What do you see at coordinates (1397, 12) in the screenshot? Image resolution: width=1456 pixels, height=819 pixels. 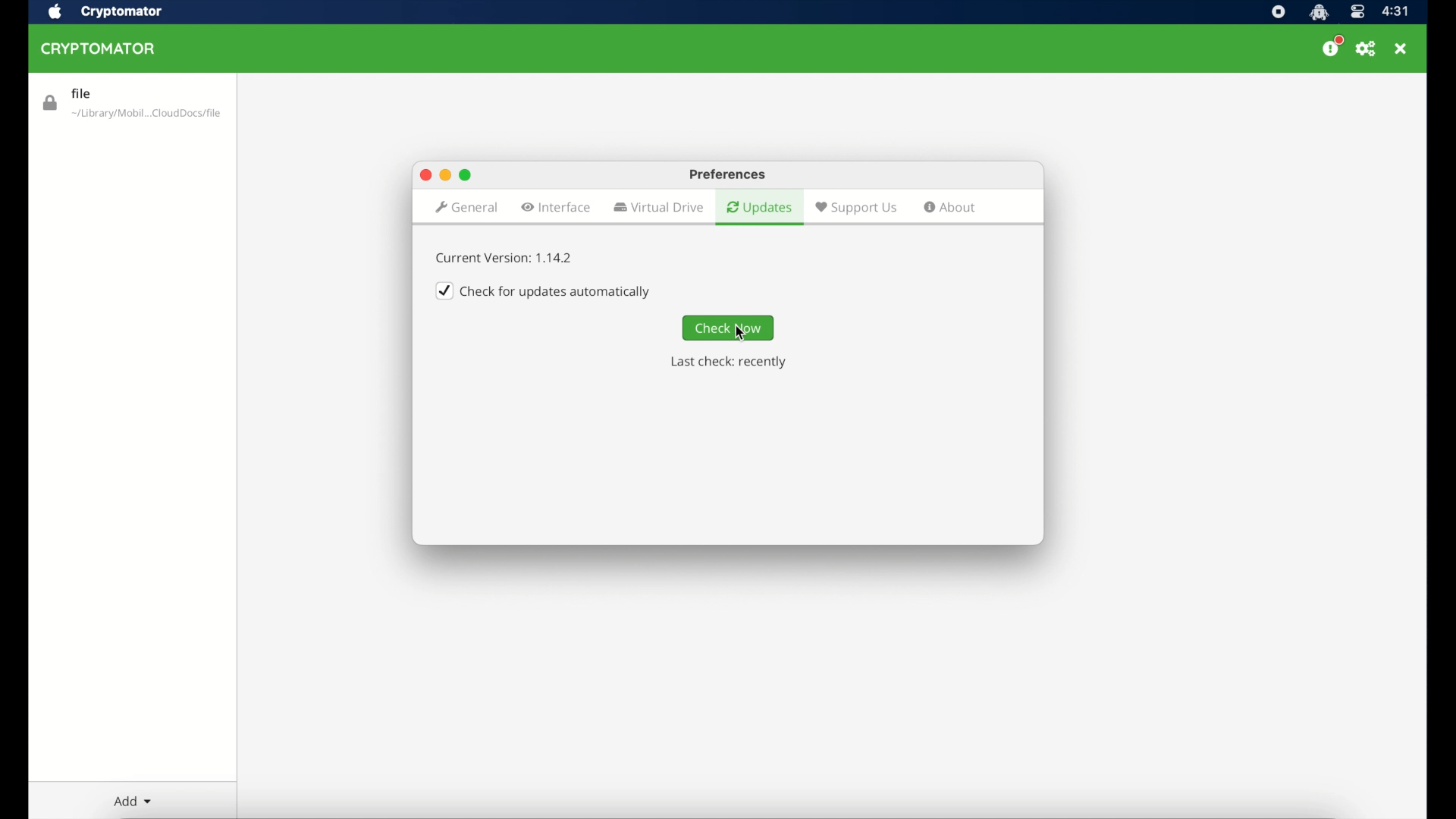 I see `time` at bounding box center [1397, 12].